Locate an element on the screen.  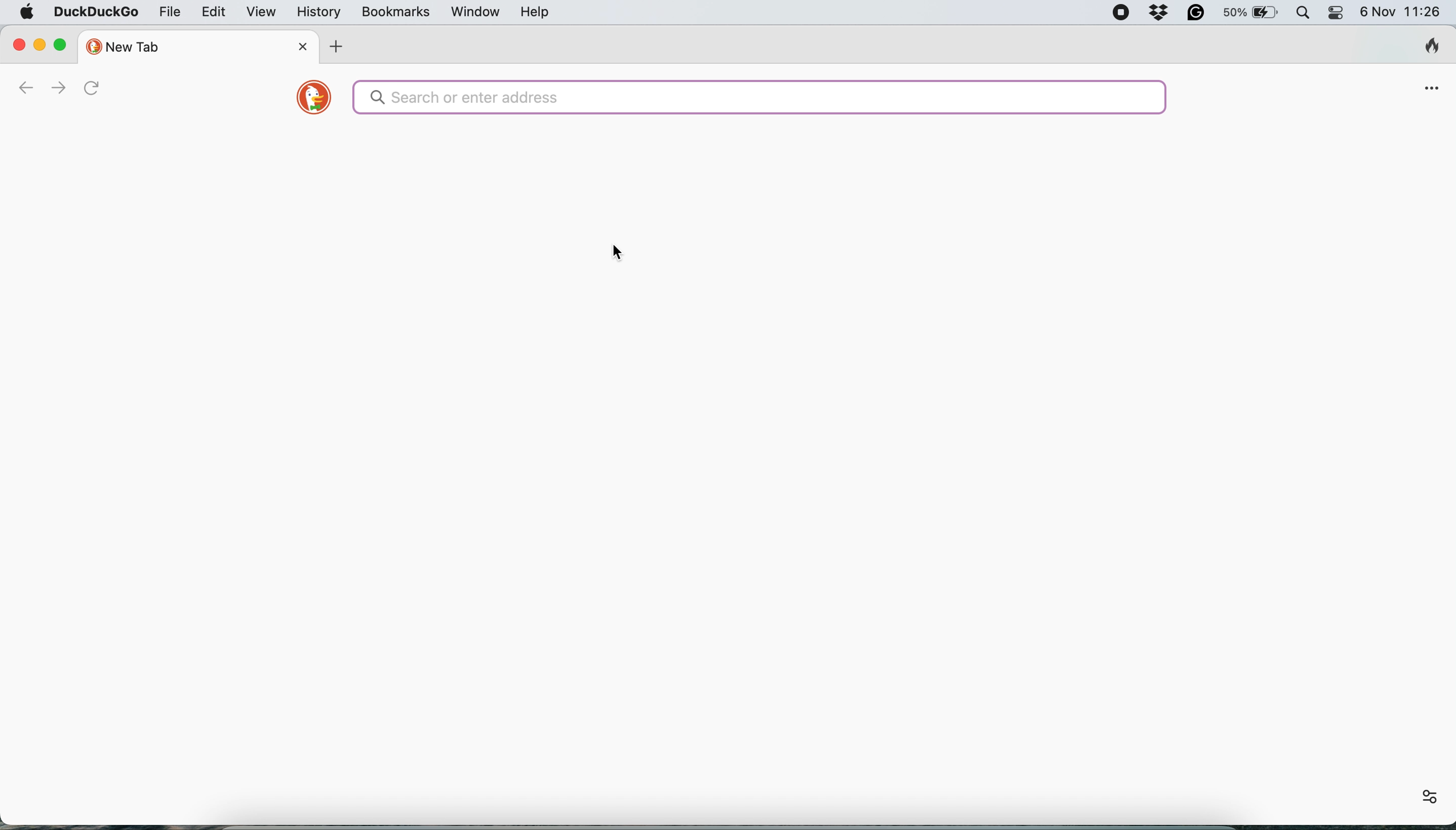
6 Nov 11:26 is located at coordinates (1402, 11).